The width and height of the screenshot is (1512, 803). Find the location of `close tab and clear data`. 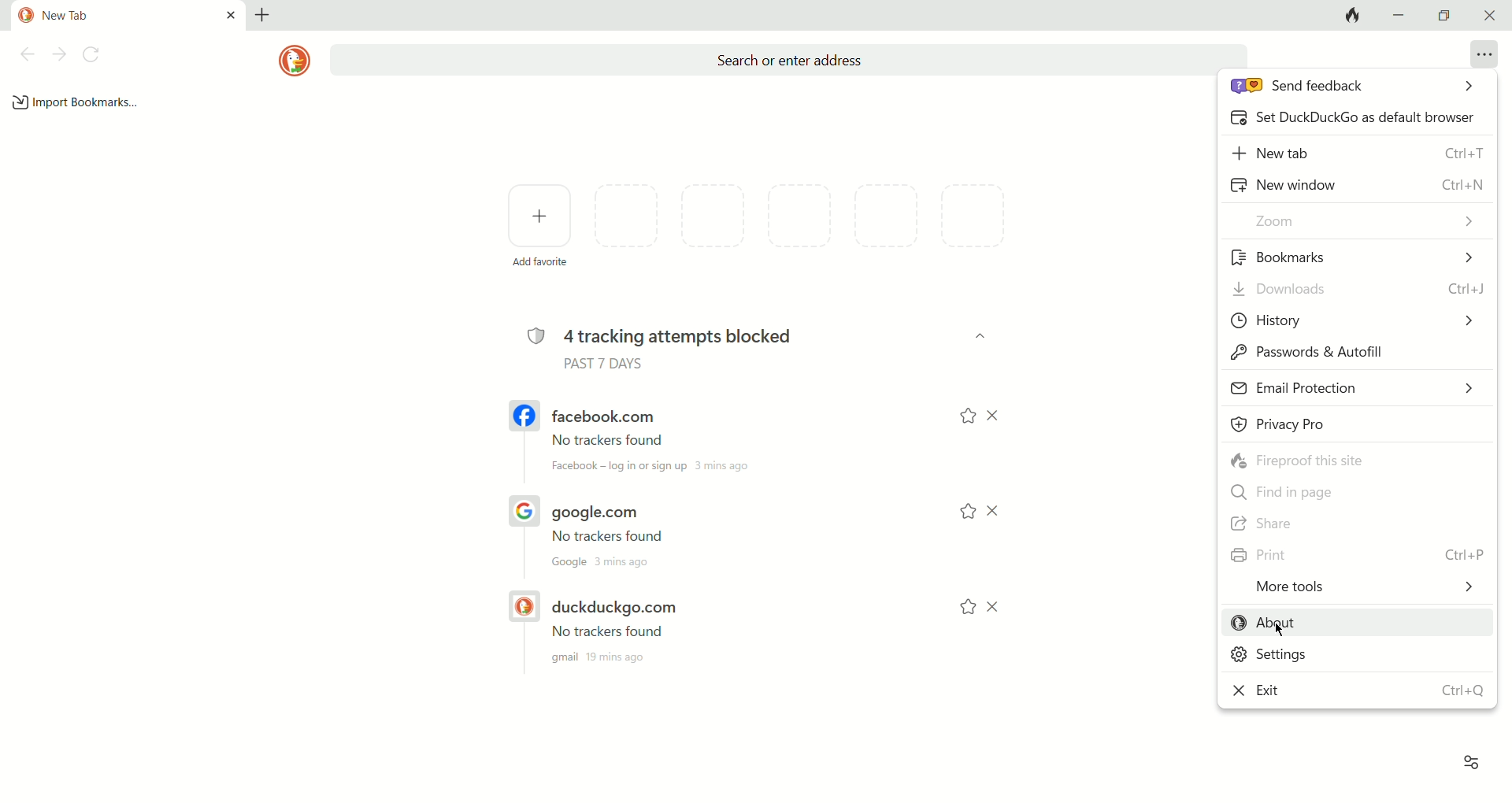

close tab and clear data is located at coordinates (1353, 16).